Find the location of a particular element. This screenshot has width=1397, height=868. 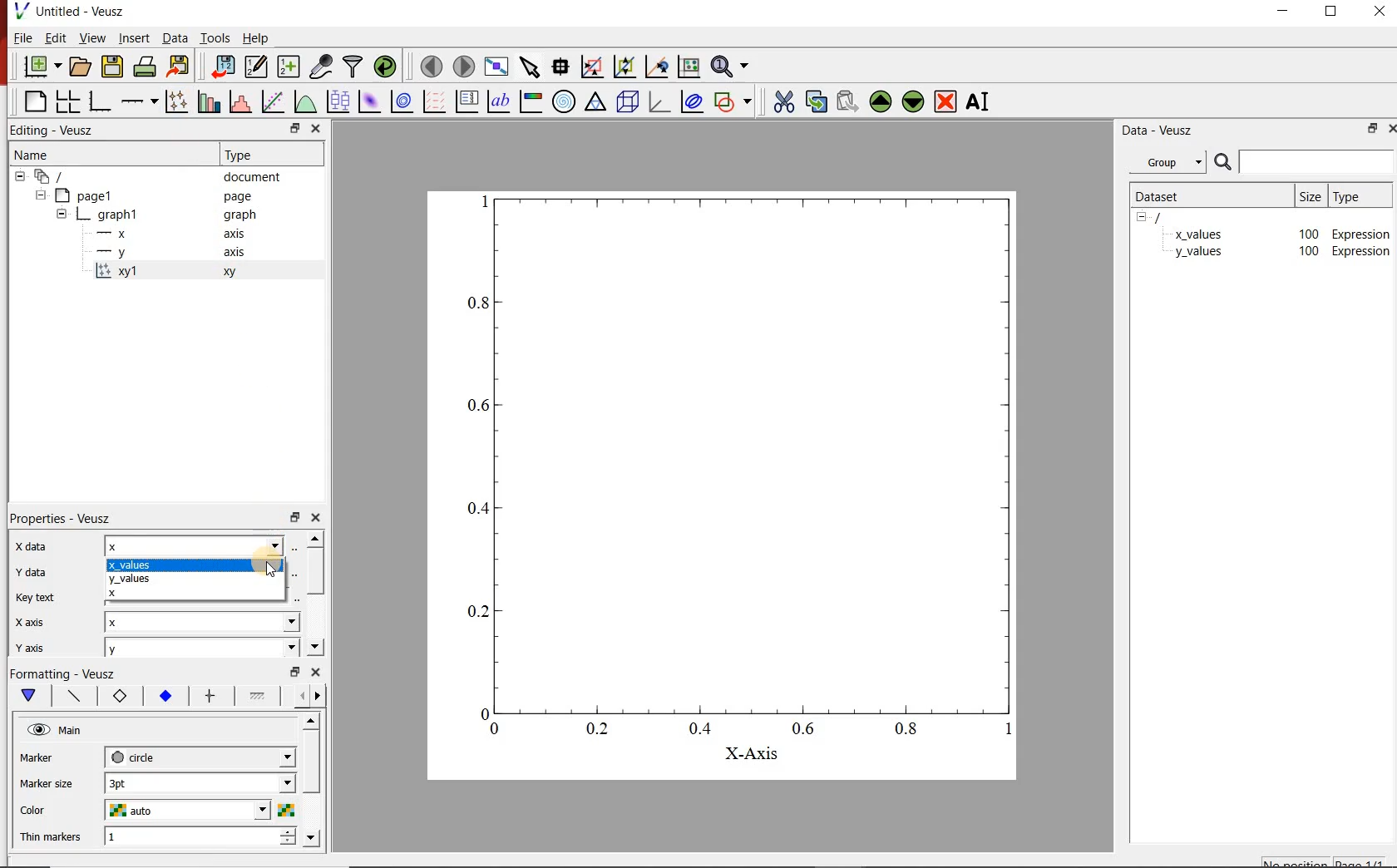

click to reset graph axes is located at coordinates (688, 67).